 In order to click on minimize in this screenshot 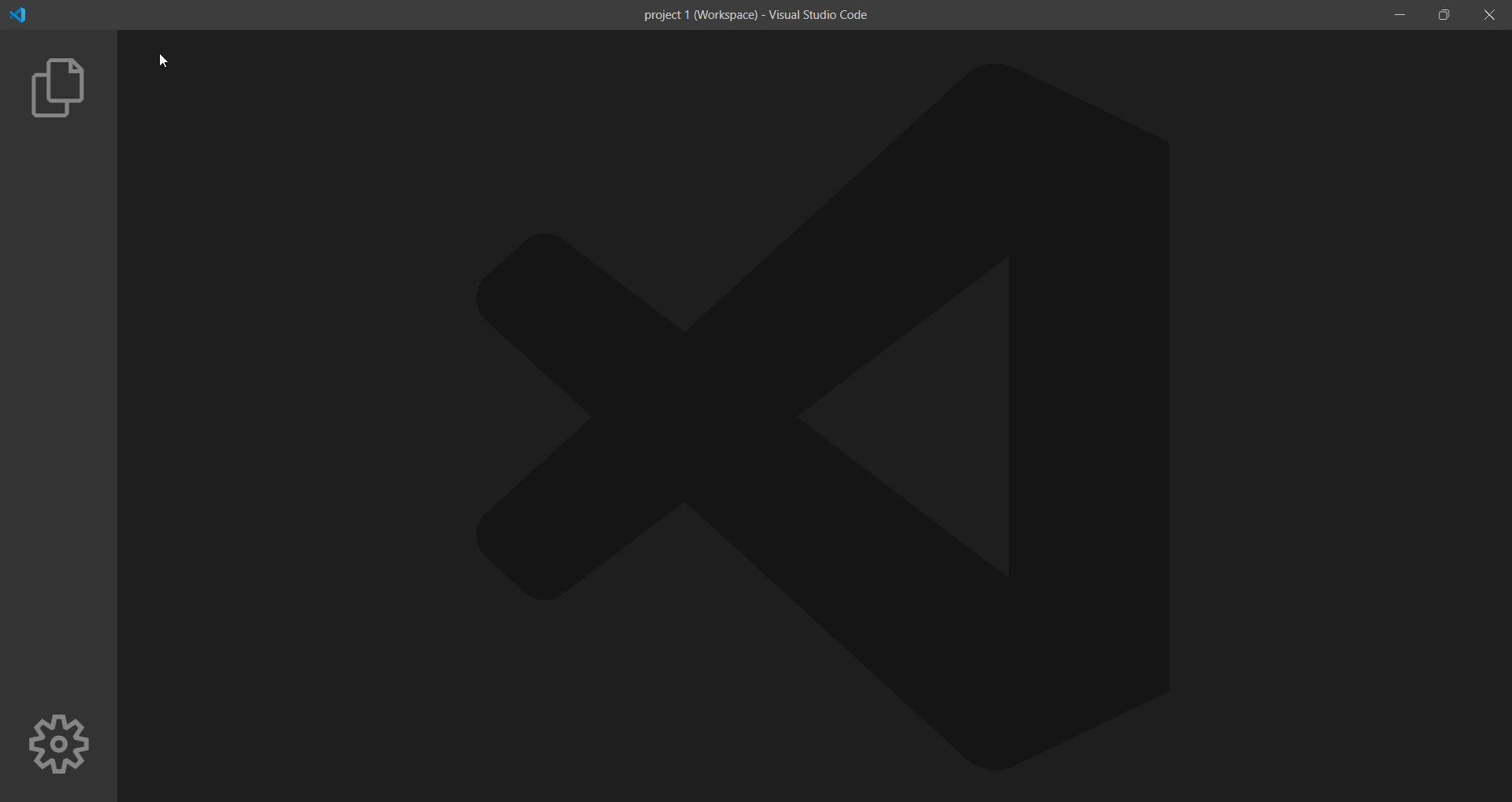, I will do `click(1399, 17)`.